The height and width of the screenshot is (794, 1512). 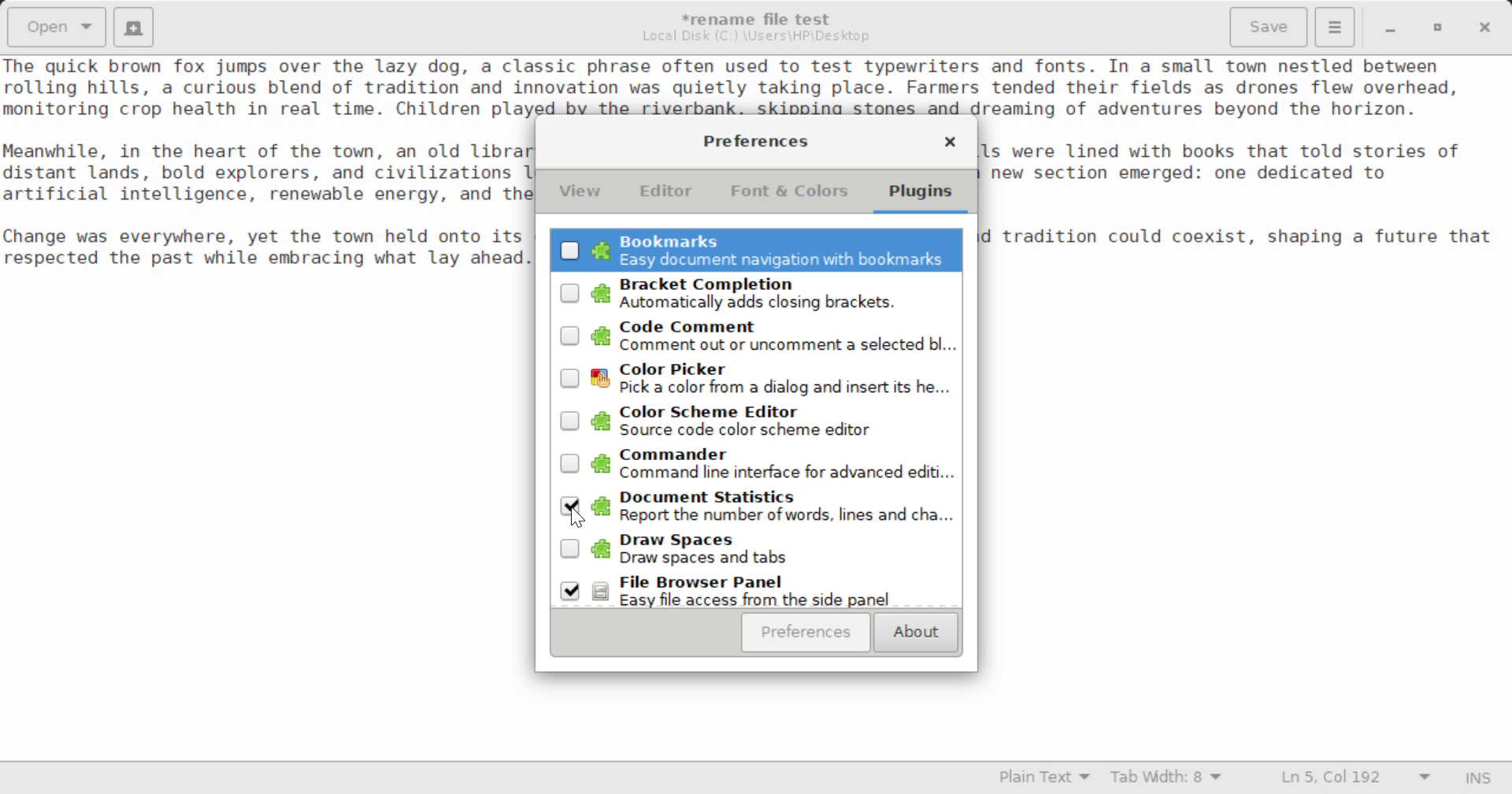 I want to click on Menu, so click(x=1334, y=25).